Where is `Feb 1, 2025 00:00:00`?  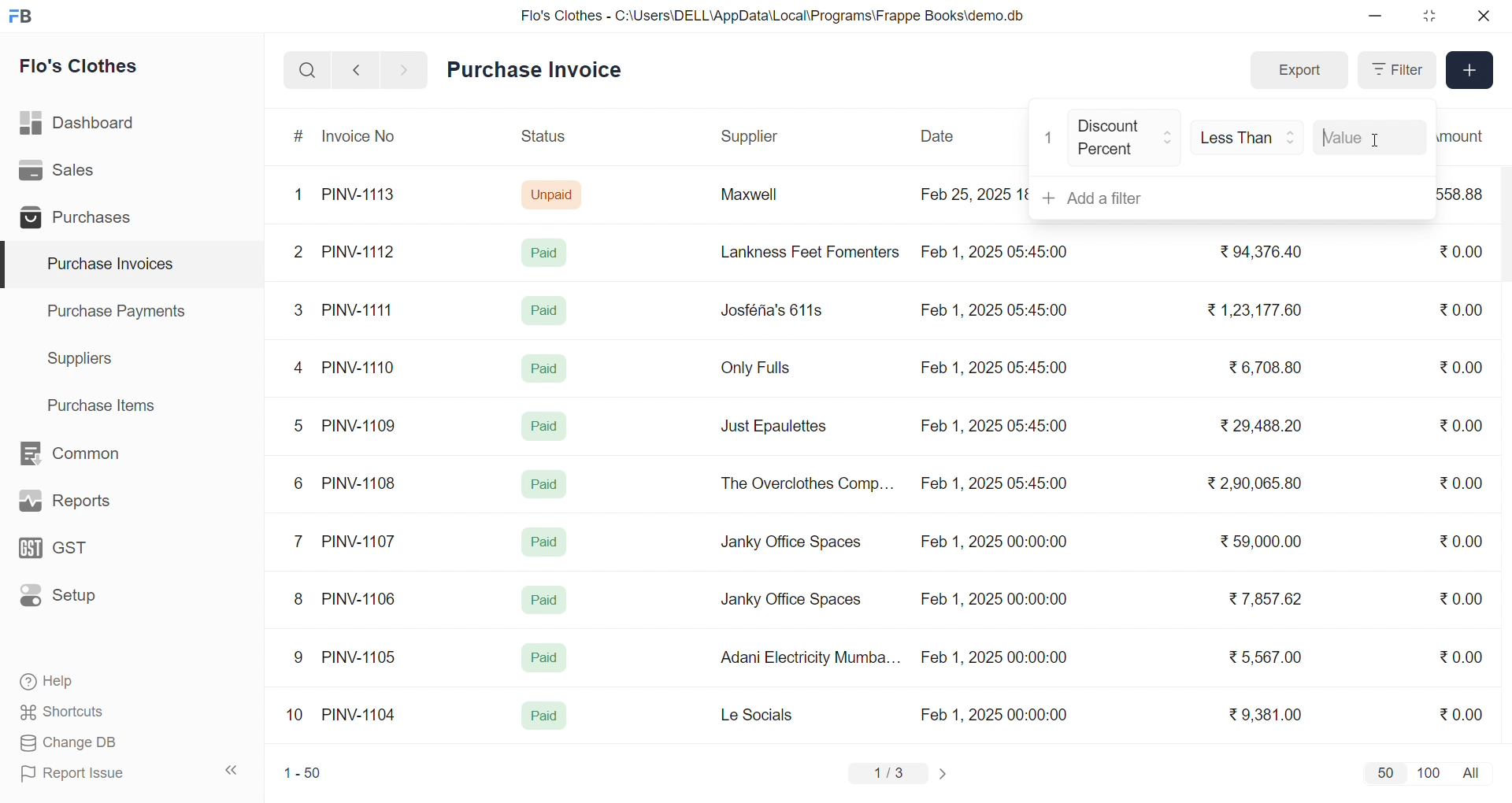
Feb 1, 2025 00:00:00 is located at coordinates (991, 597).